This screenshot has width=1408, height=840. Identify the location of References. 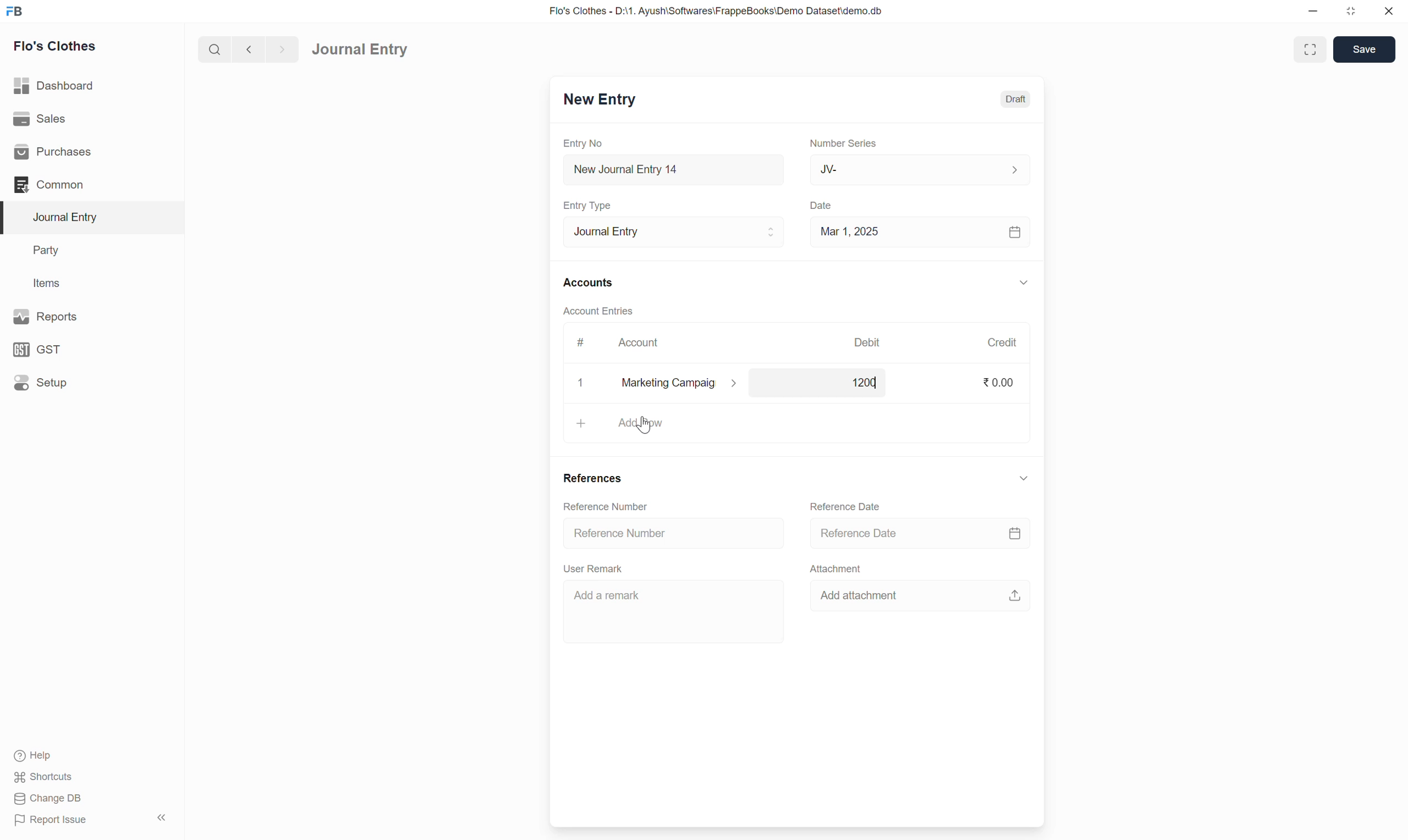
(593, 479).